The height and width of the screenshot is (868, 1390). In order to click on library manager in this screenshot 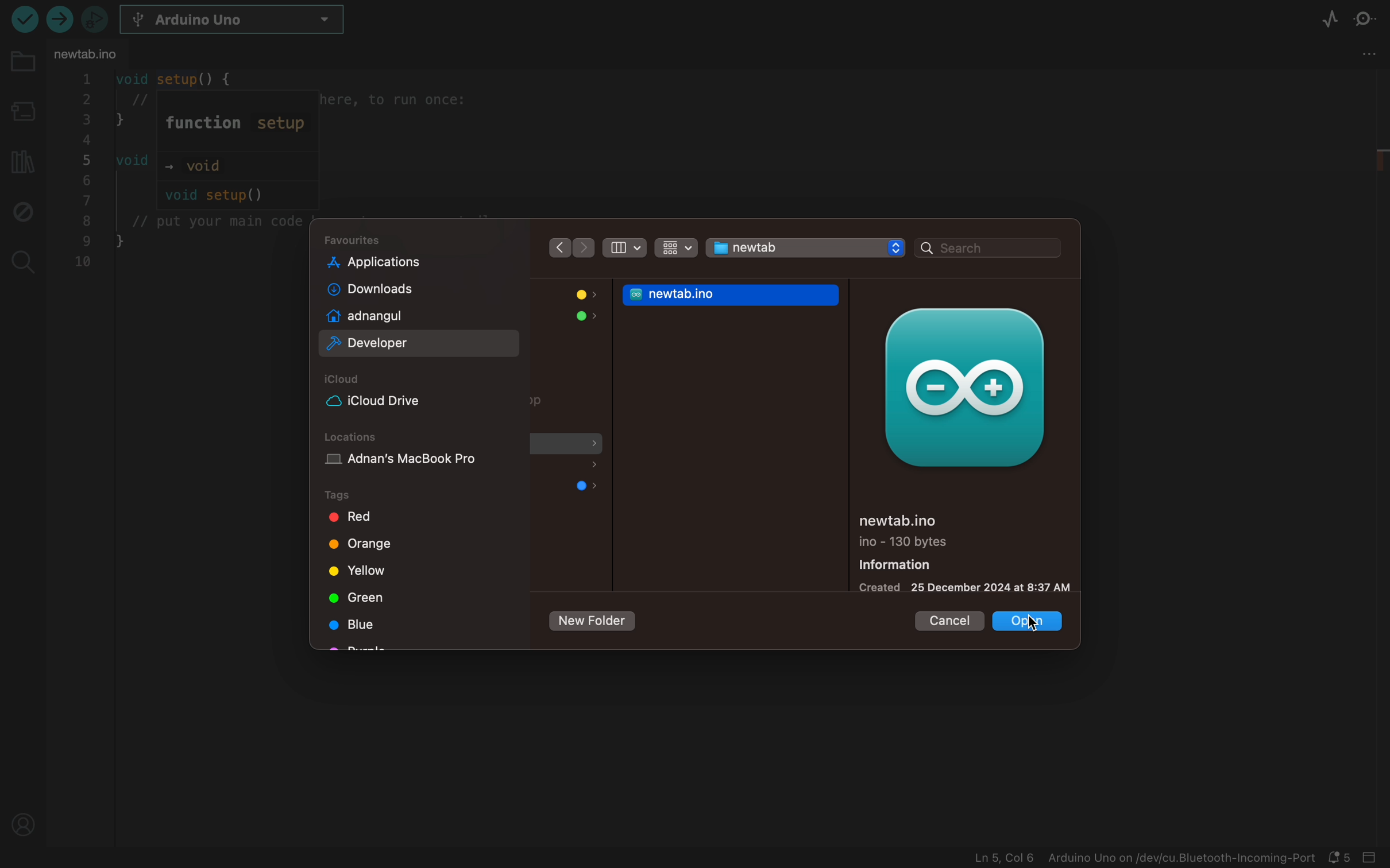, I will do `click(20, 158)`.